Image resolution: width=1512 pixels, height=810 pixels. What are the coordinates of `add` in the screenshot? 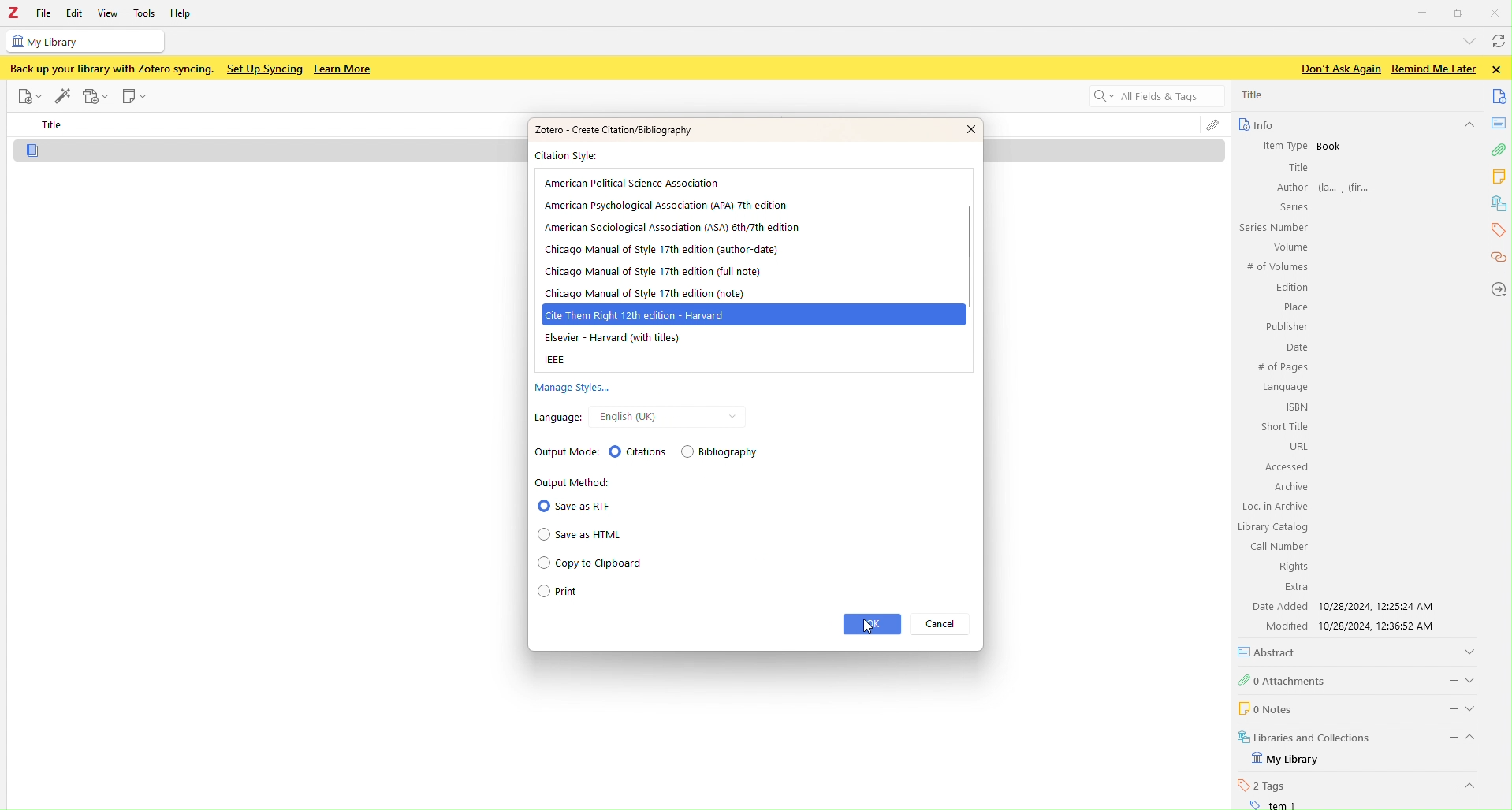 It's located at (1449, 678).